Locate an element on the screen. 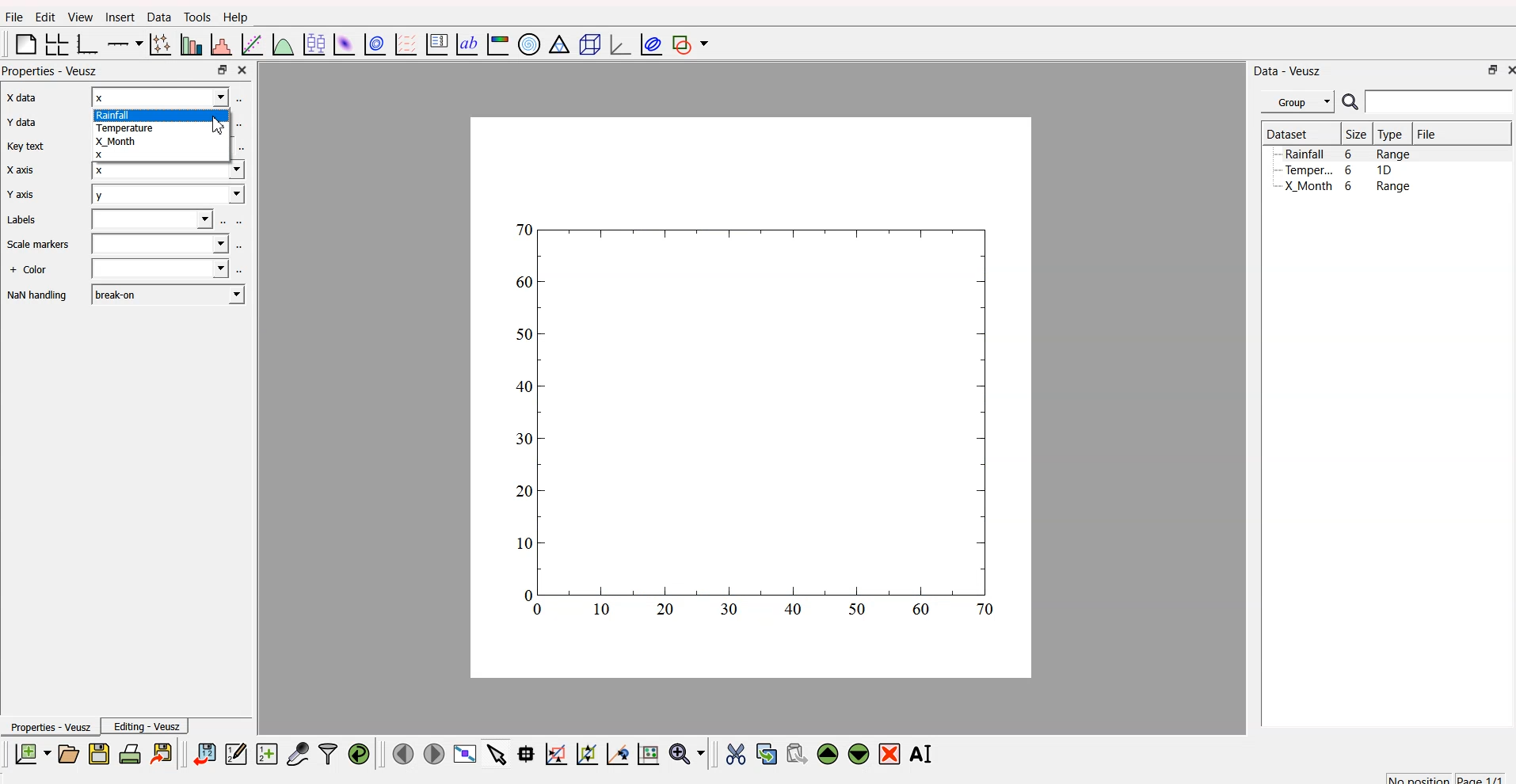 This screenshot has height=784, width=1516. copy the widget is located at coordinates (766, 752).